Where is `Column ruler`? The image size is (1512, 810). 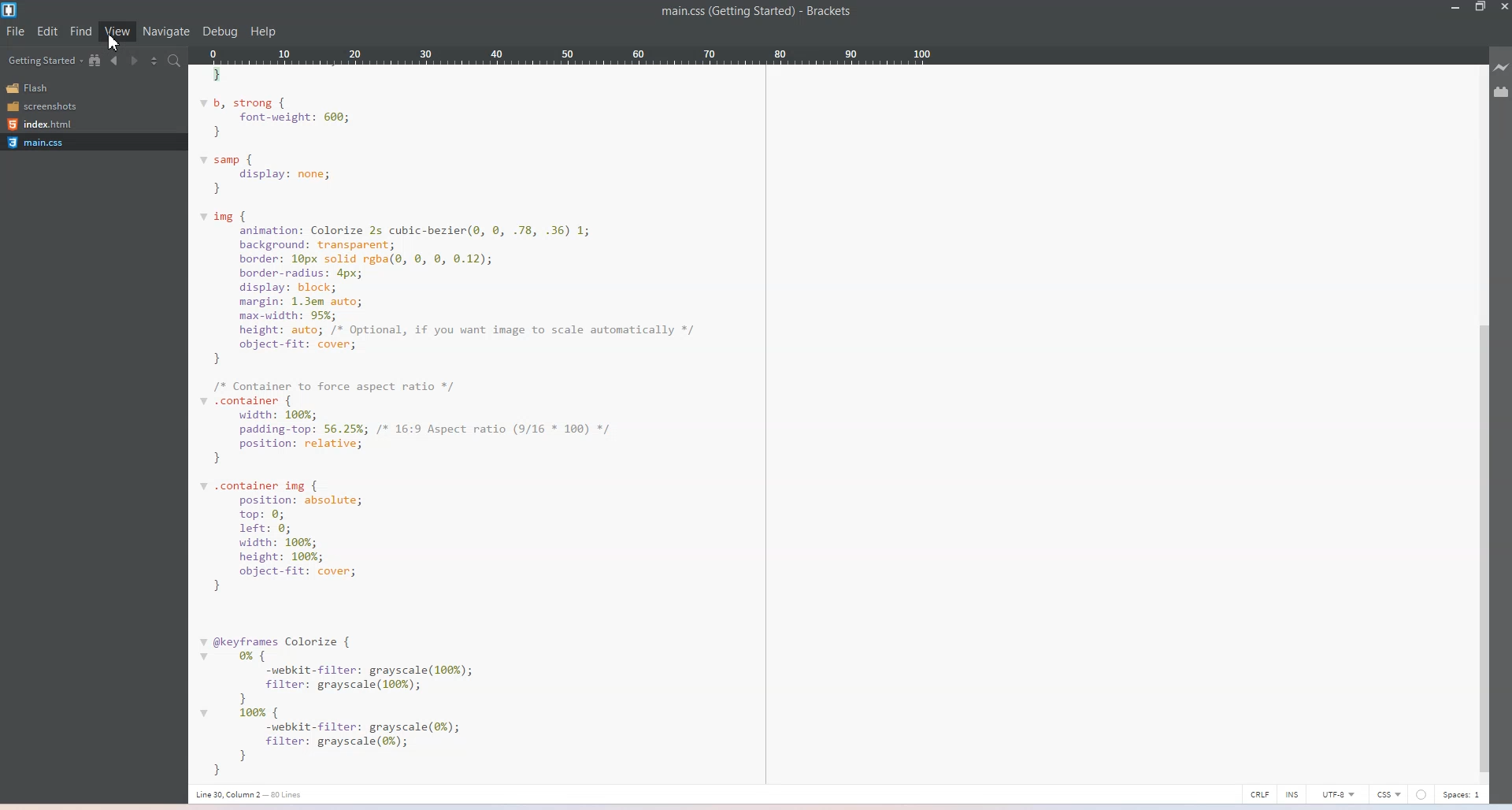 Column ruler is located at coordinates (626, 55).